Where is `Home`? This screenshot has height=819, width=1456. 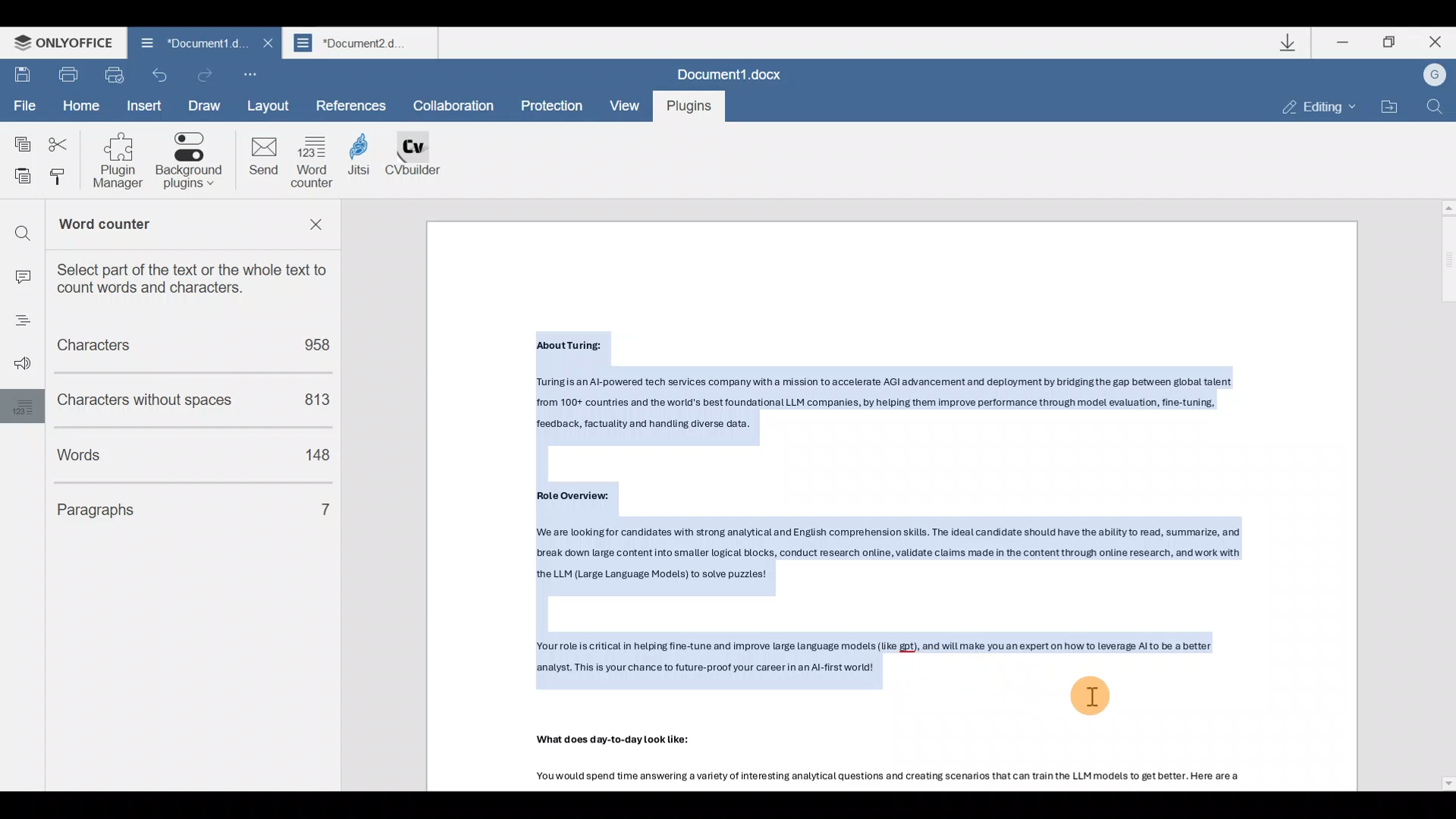
Home is located at coordinates (80, 105).